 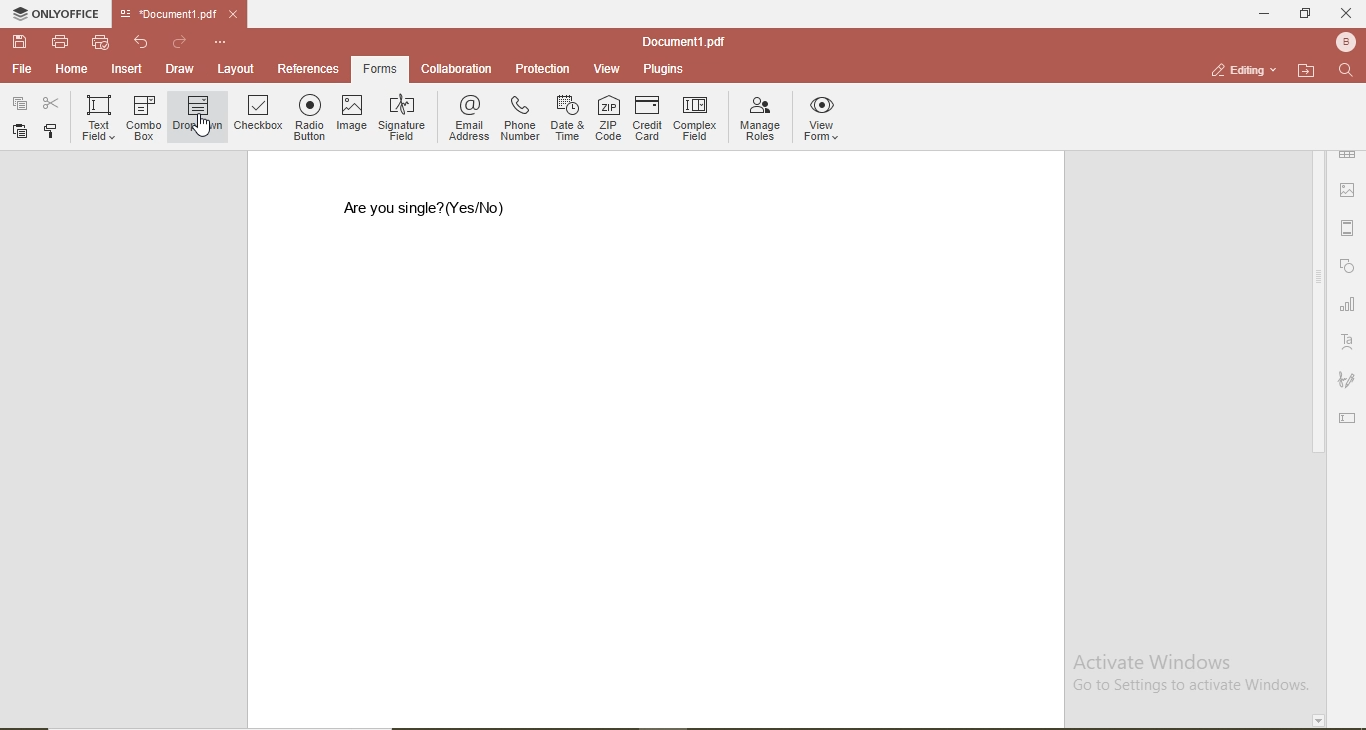 What do you see at coordinates (1191, 679) in the screenshot?
I see `Activate Windows
Go to Settings to activate Windows.` at bounding box center [1191, 679].